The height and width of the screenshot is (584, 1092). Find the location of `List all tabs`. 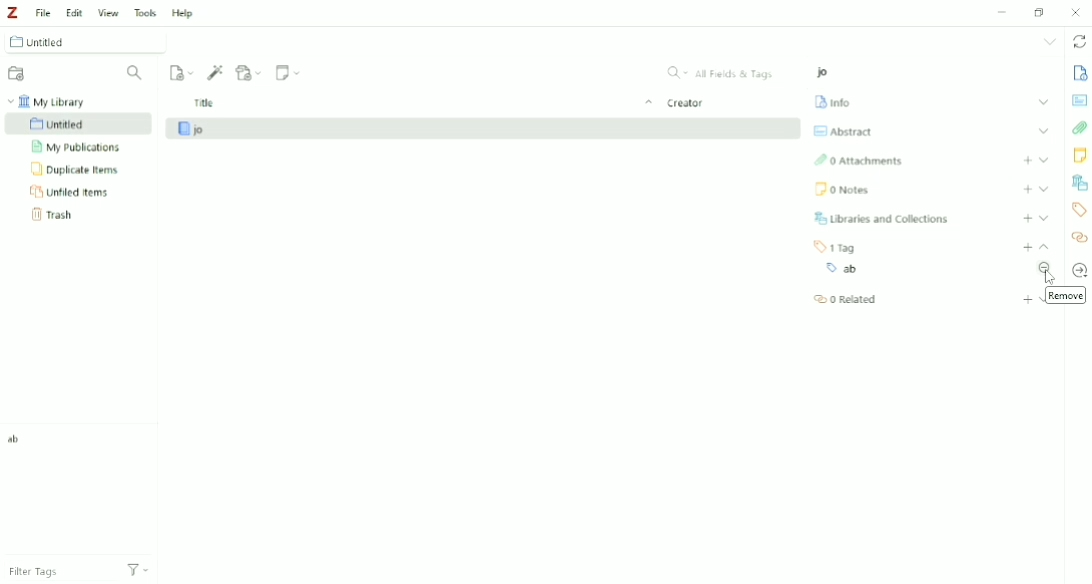

List all tabs is located at coordinates (1048, 42).